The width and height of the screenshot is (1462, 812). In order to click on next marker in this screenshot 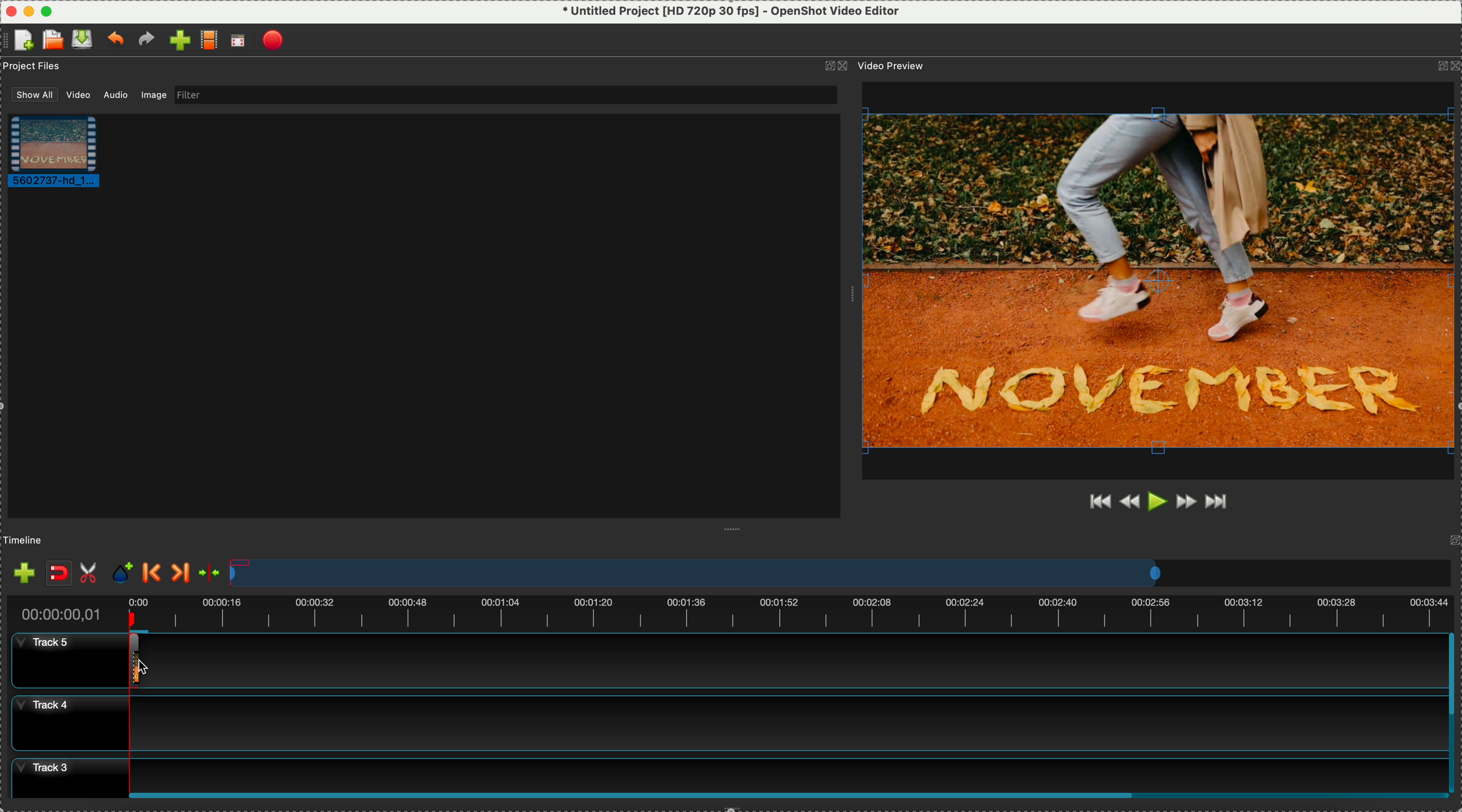, I will do `click(182, 573)`.